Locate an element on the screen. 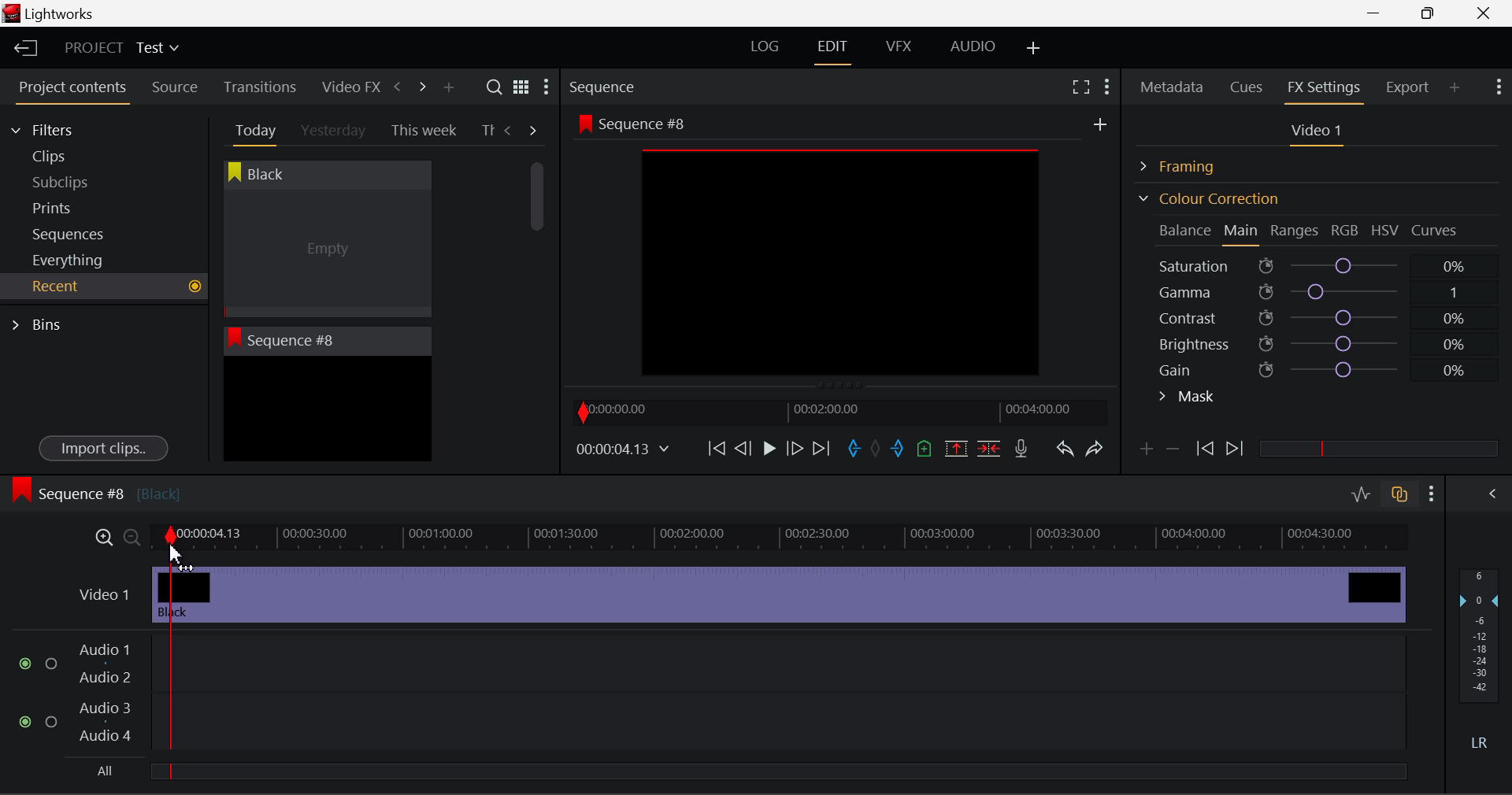  Add keyframe is located at coordinates (1143, 452).